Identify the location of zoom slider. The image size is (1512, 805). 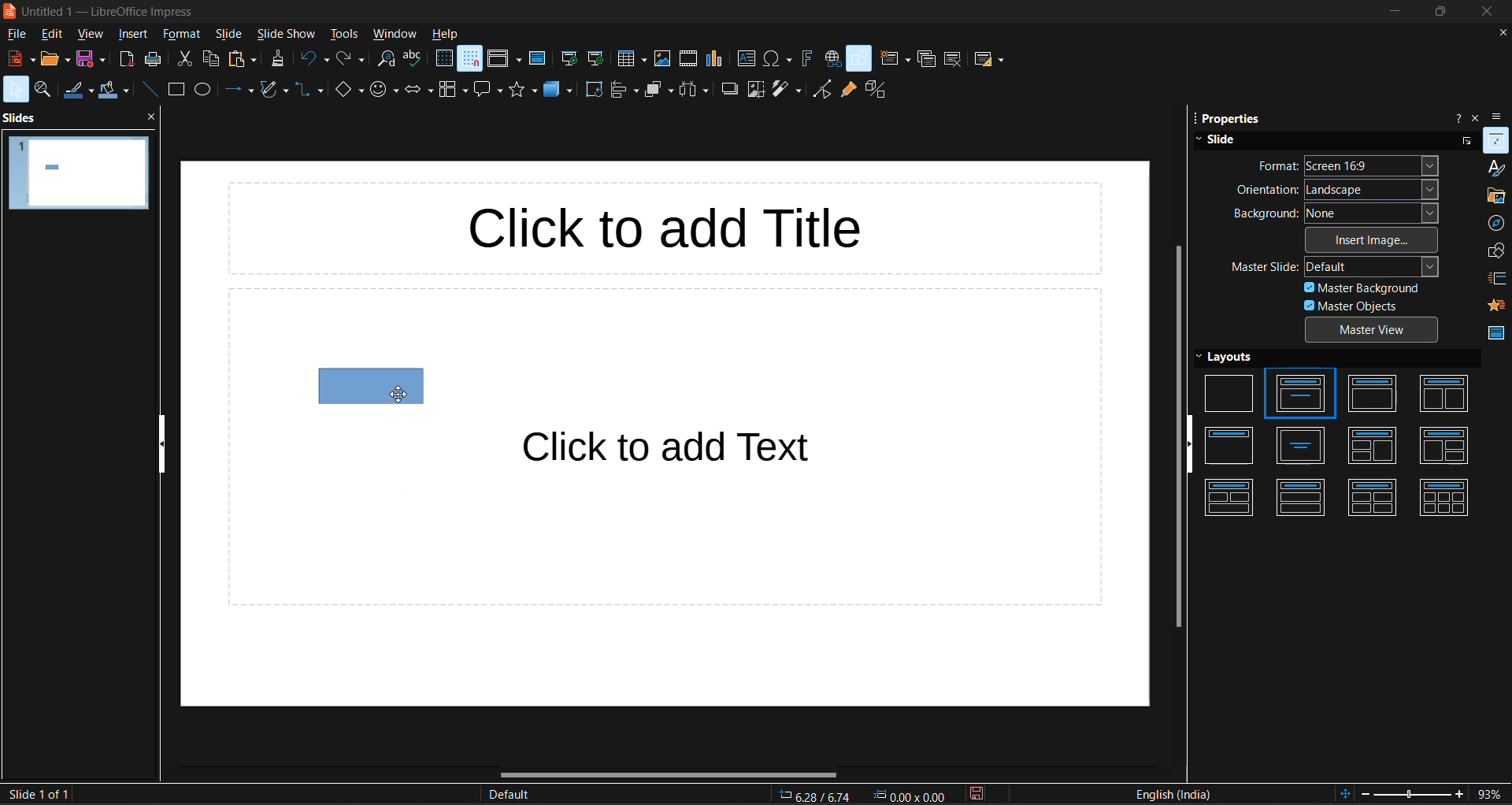
(1415, 796).